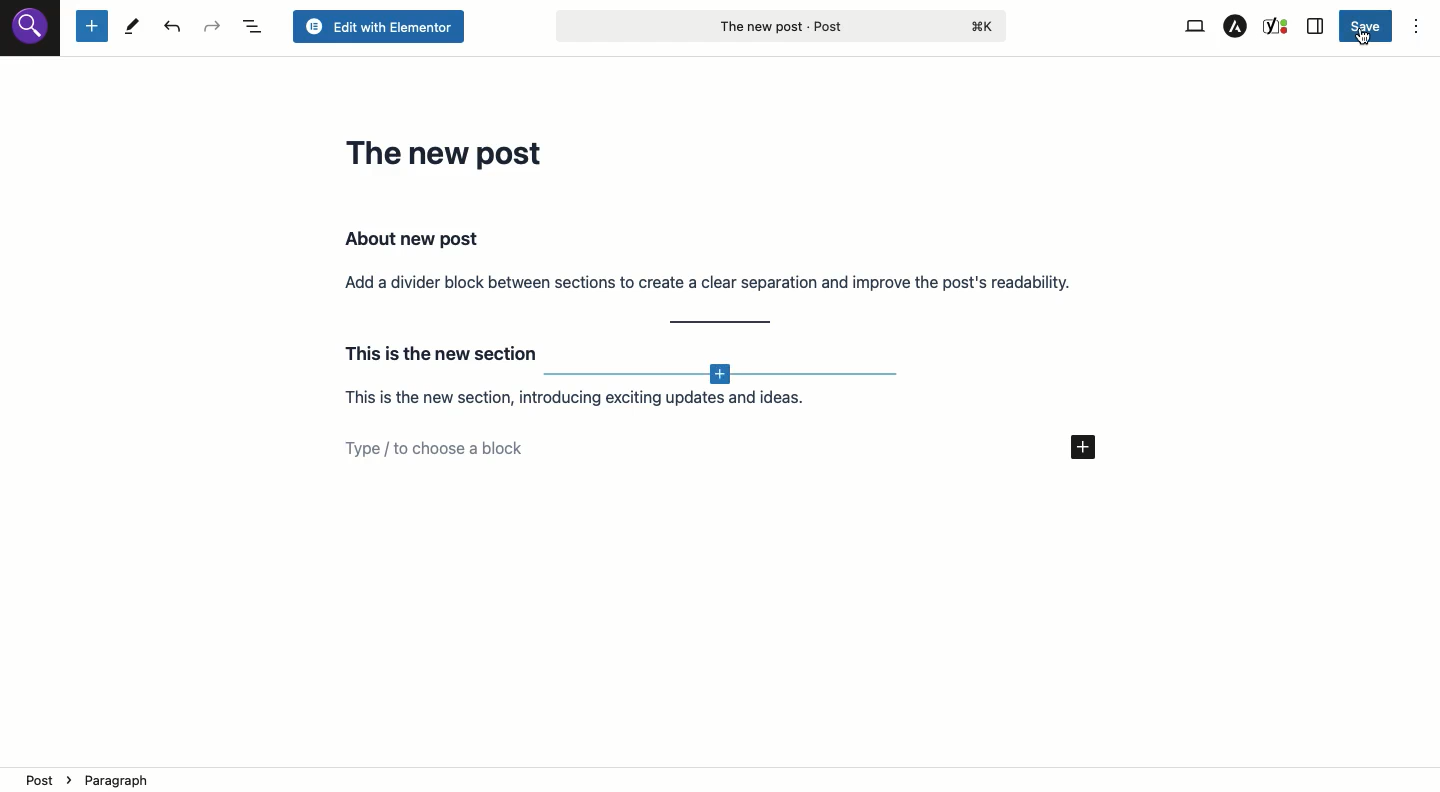 The height and width of the screenshot is (792, 1440). I want to click on Post, so click(780, 25).